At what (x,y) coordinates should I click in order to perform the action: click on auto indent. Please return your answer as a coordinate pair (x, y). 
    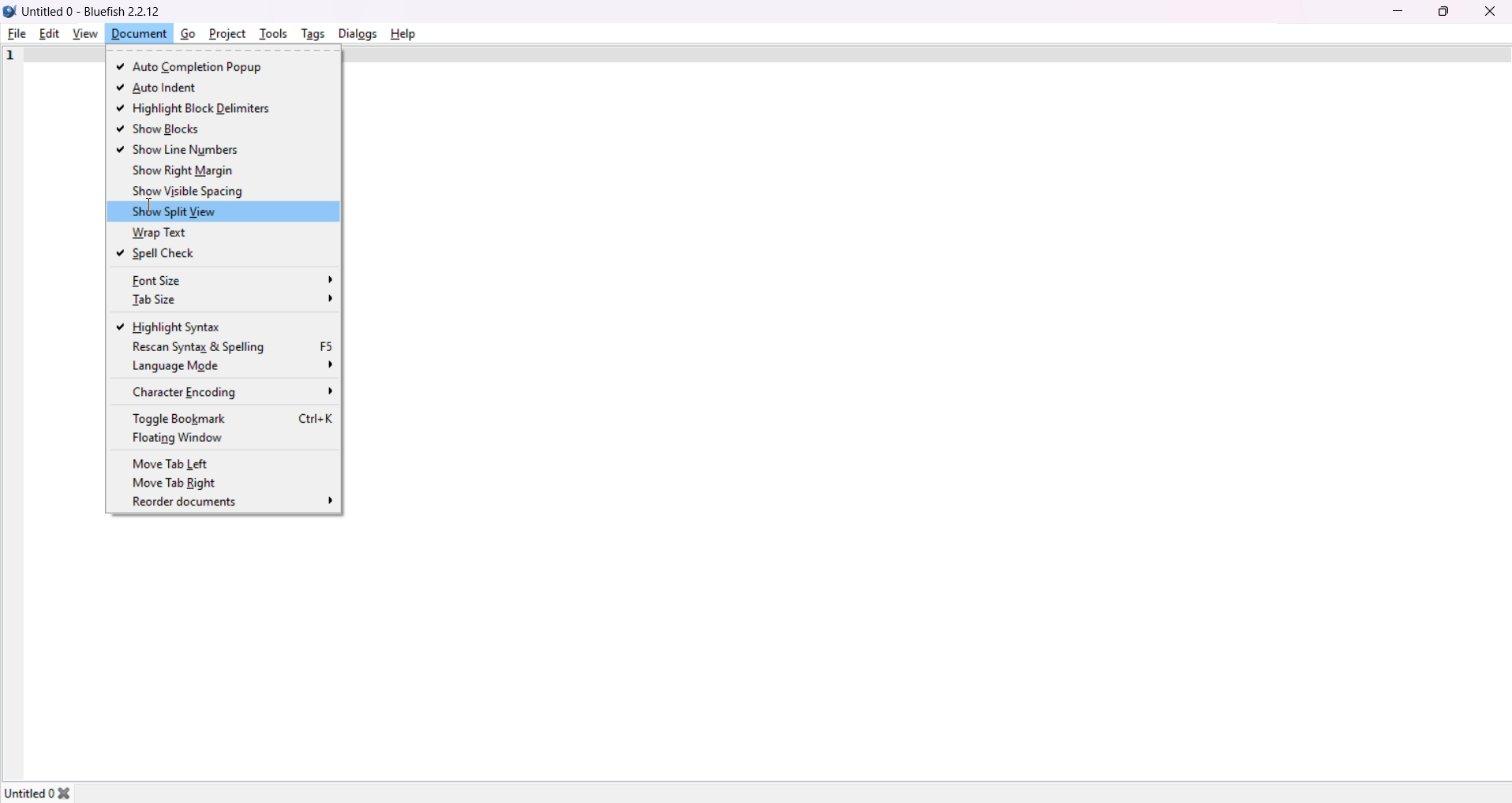
    Looking at the image, I should click on (158, 88).